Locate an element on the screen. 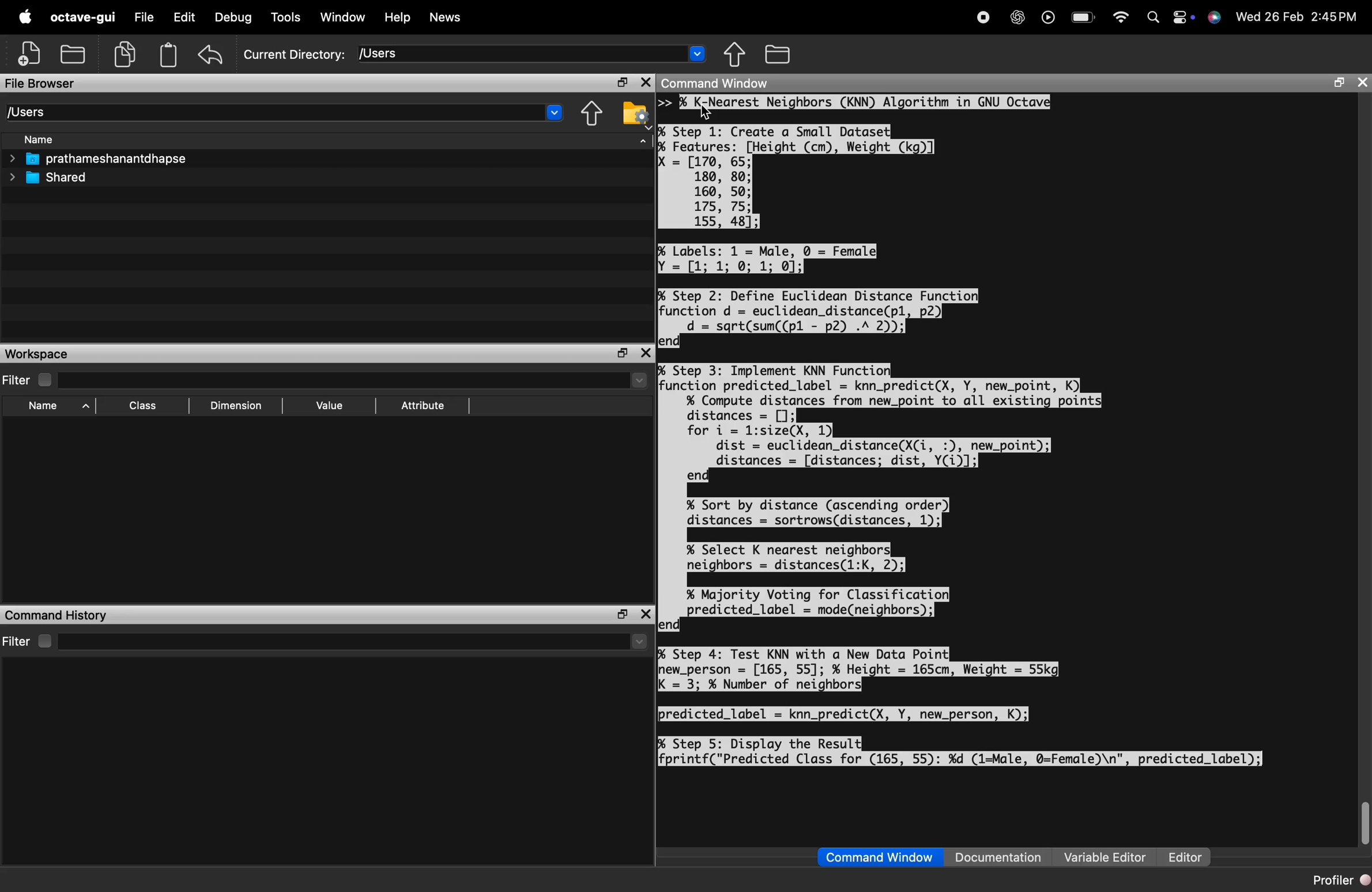  settings is located at coordinates (1181, 14).